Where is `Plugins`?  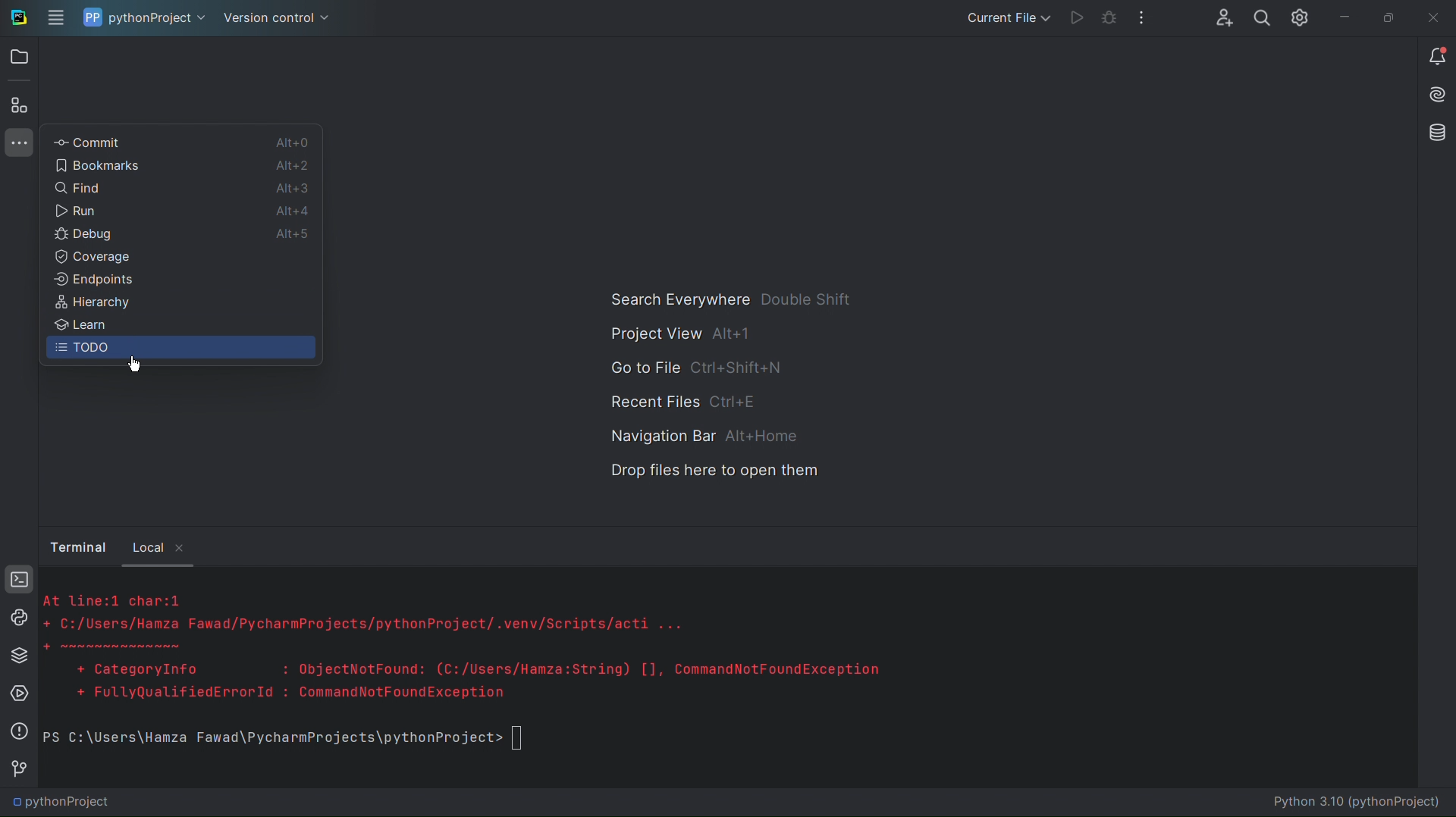 Plugins is located at coordinates (18, 105).